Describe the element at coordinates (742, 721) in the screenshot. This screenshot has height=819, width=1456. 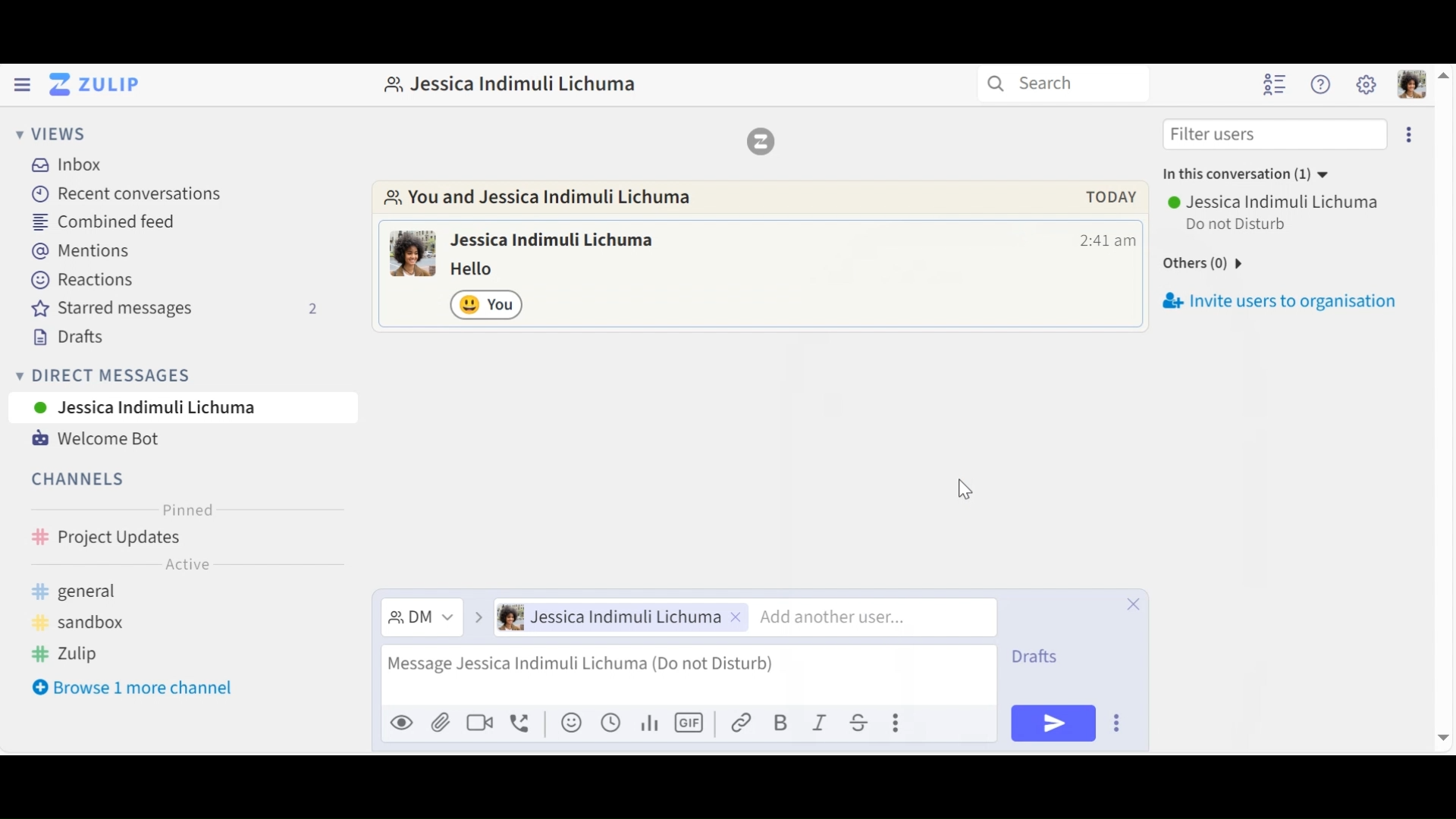
I see `Link` at that location.